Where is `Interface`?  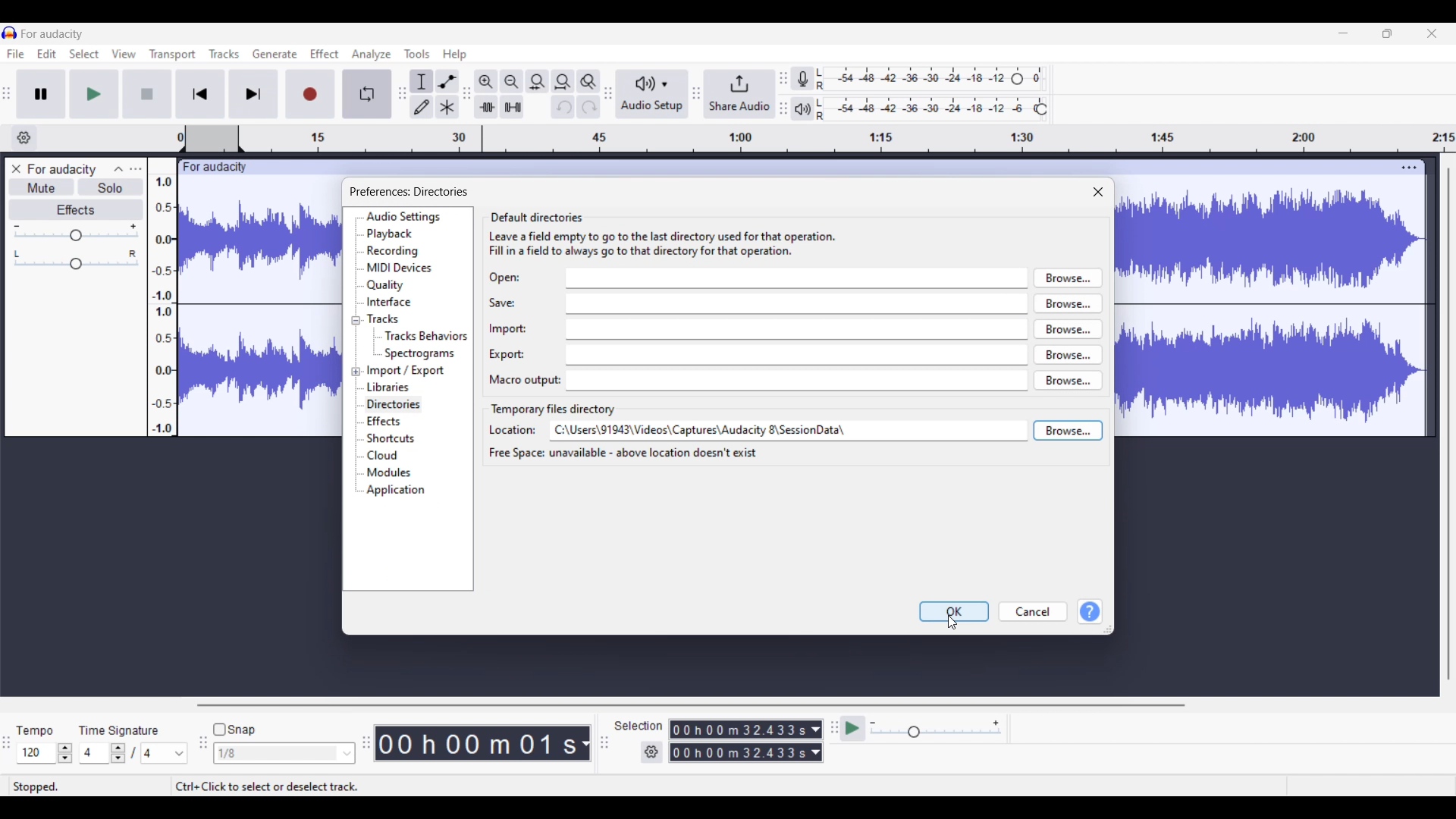 Interface is located at coordinates (390, 302).